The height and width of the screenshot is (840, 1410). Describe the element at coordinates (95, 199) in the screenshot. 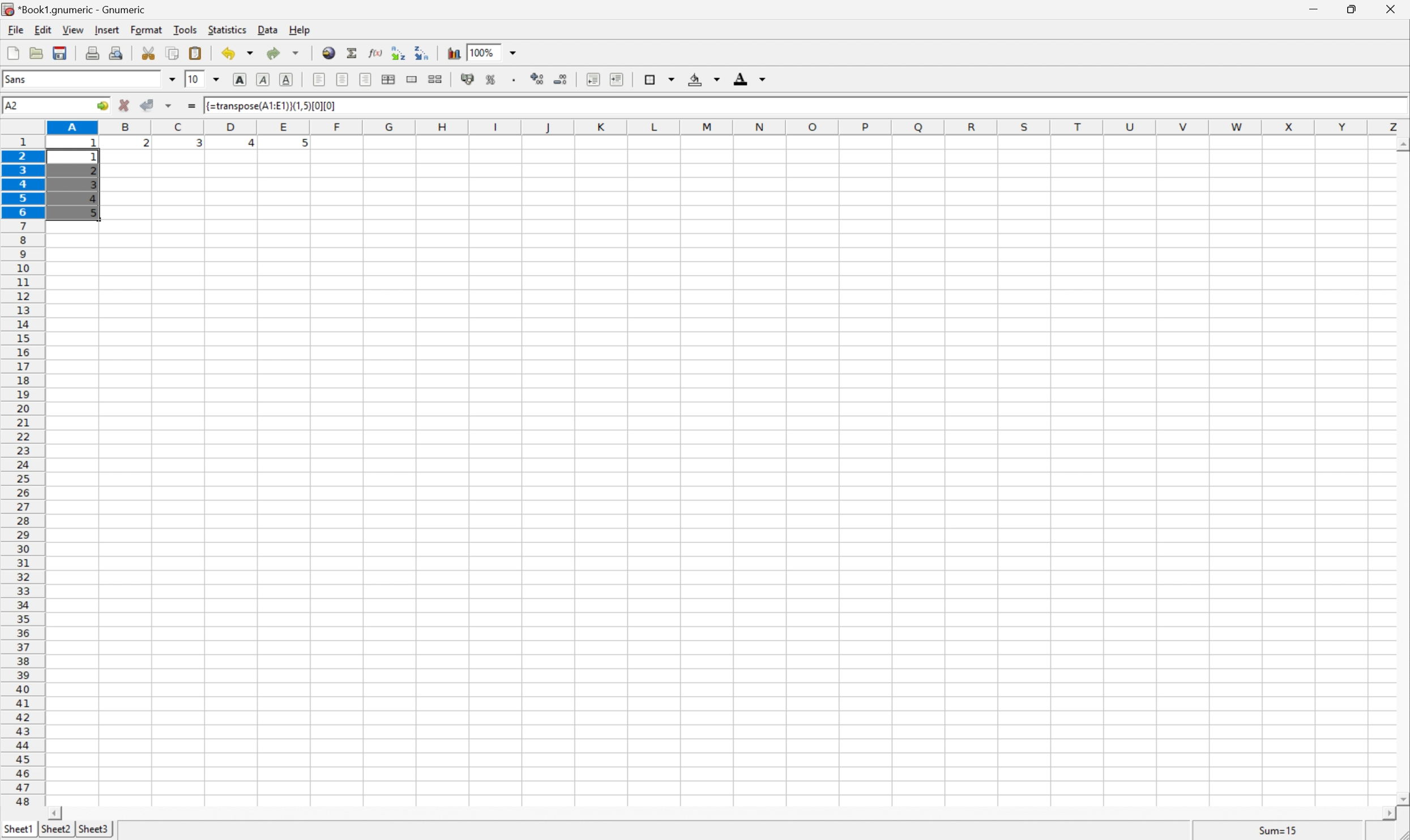

I see `4` at that location.